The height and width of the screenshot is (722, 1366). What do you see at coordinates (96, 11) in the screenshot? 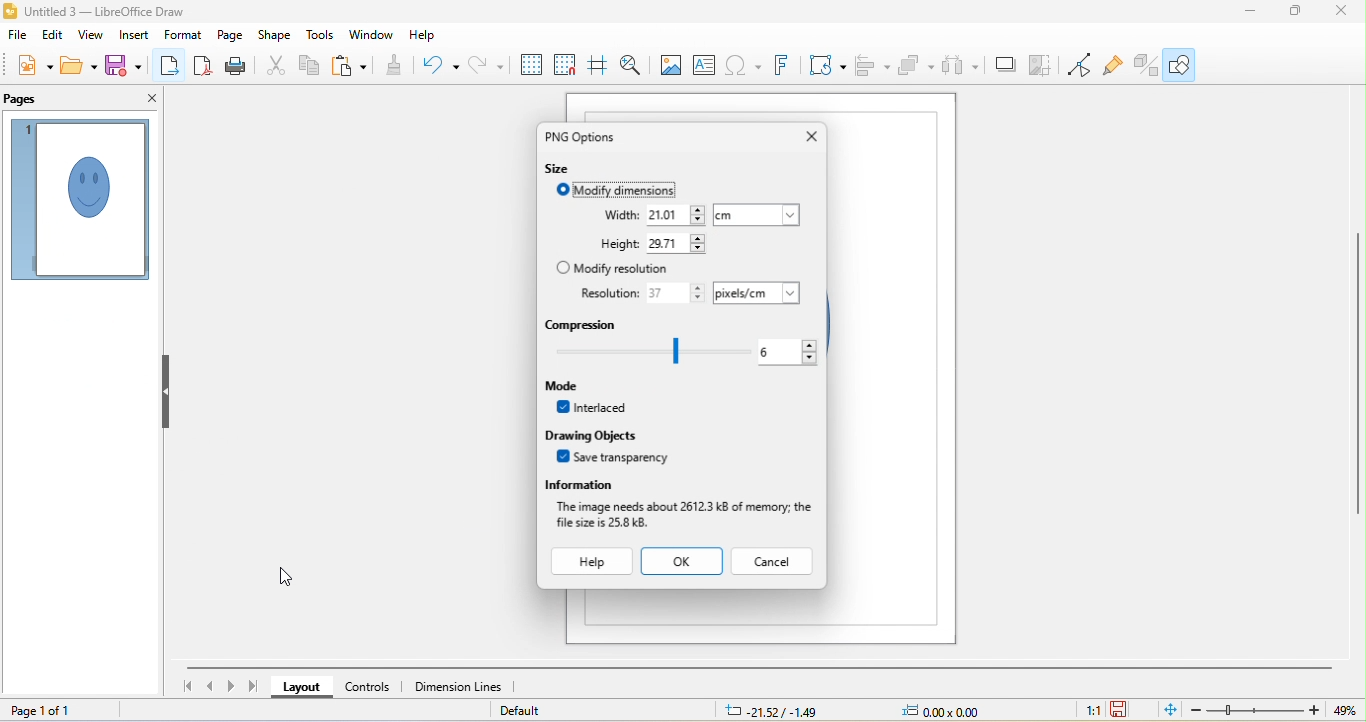
I see `title` at bounding box center [96, 11].